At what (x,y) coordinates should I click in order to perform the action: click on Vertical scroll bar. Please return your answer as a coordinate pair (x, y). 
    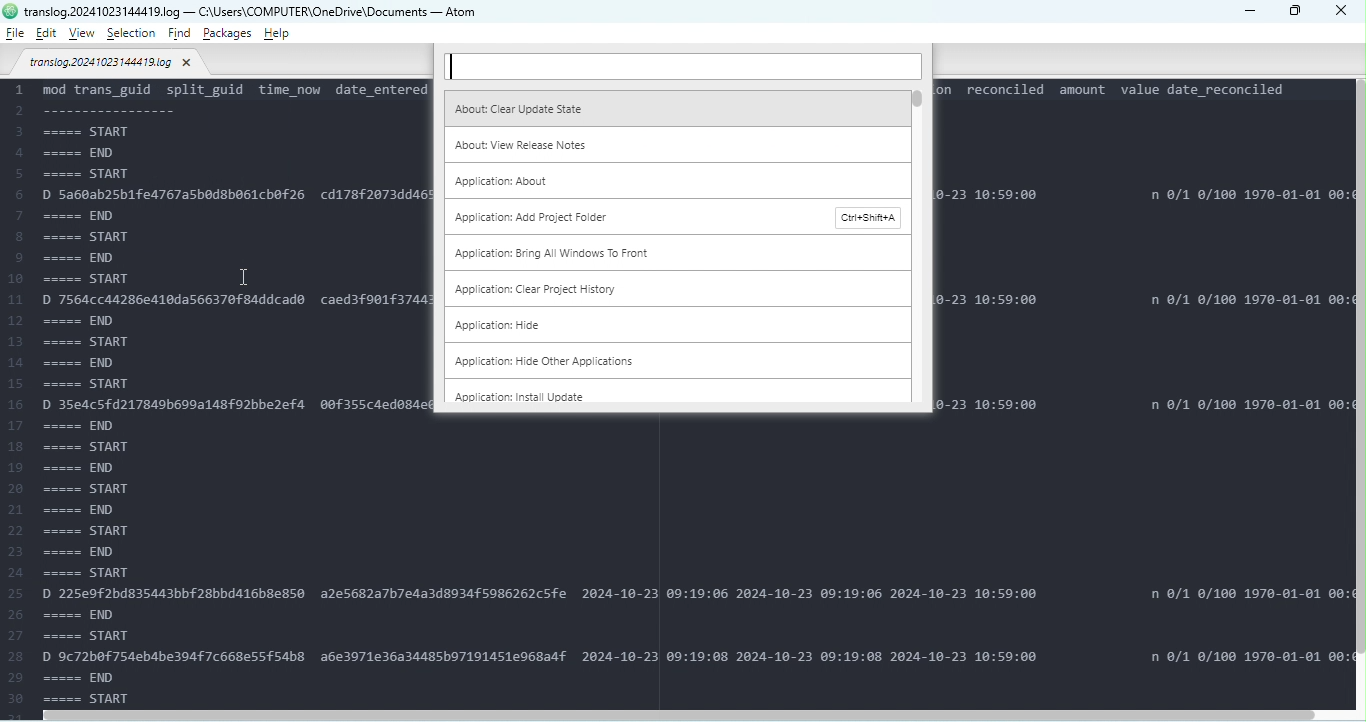
    Looking at the image, I should click on (919, 251).